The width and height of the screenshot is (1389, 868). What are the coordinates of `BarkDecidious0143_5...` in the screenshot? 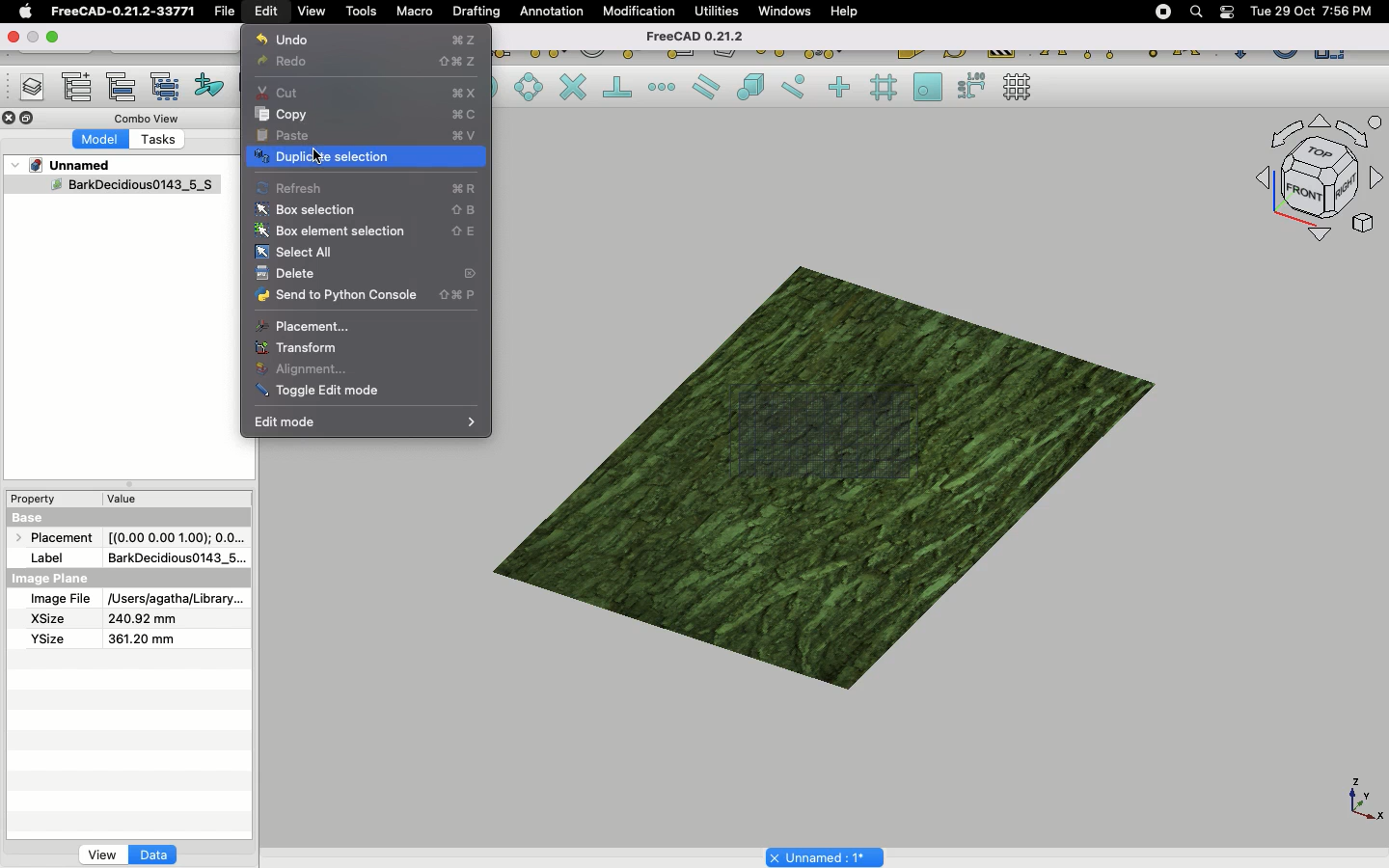 It's located at (175, 557).